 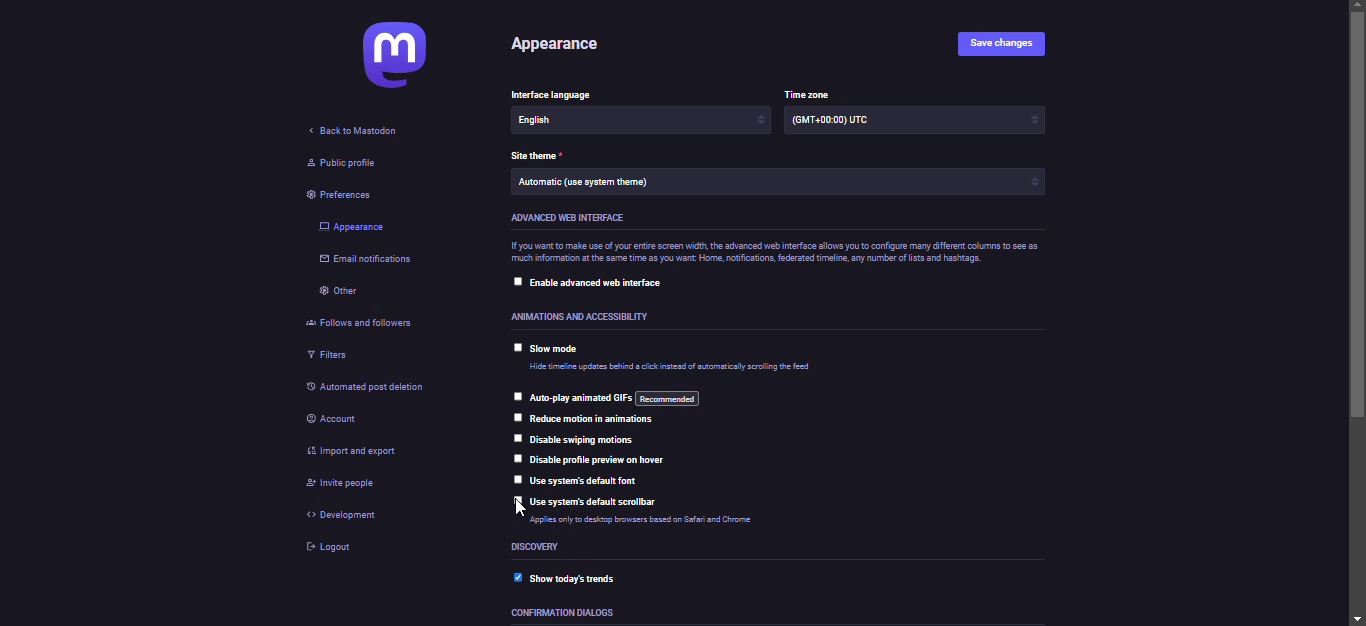 I want to click on theme, so click(x=594, y=182).